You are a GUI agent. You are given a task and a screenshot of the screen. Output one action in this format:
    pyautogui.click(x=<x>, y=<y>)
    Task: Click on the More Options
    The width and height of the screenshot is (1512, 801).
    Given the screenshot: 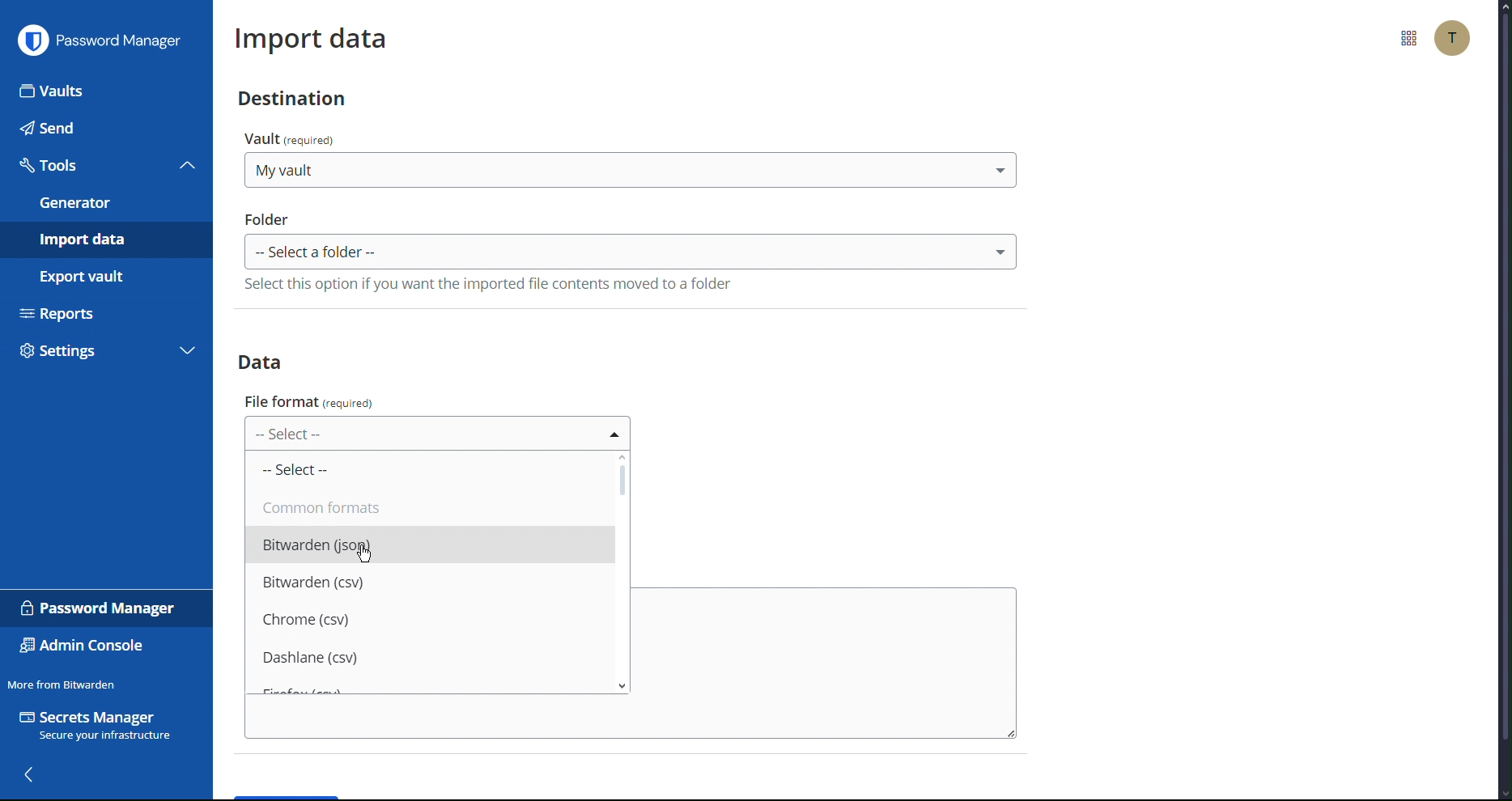 What is the action you would take?
    pyautogui.click(x=1406, y=38)
    